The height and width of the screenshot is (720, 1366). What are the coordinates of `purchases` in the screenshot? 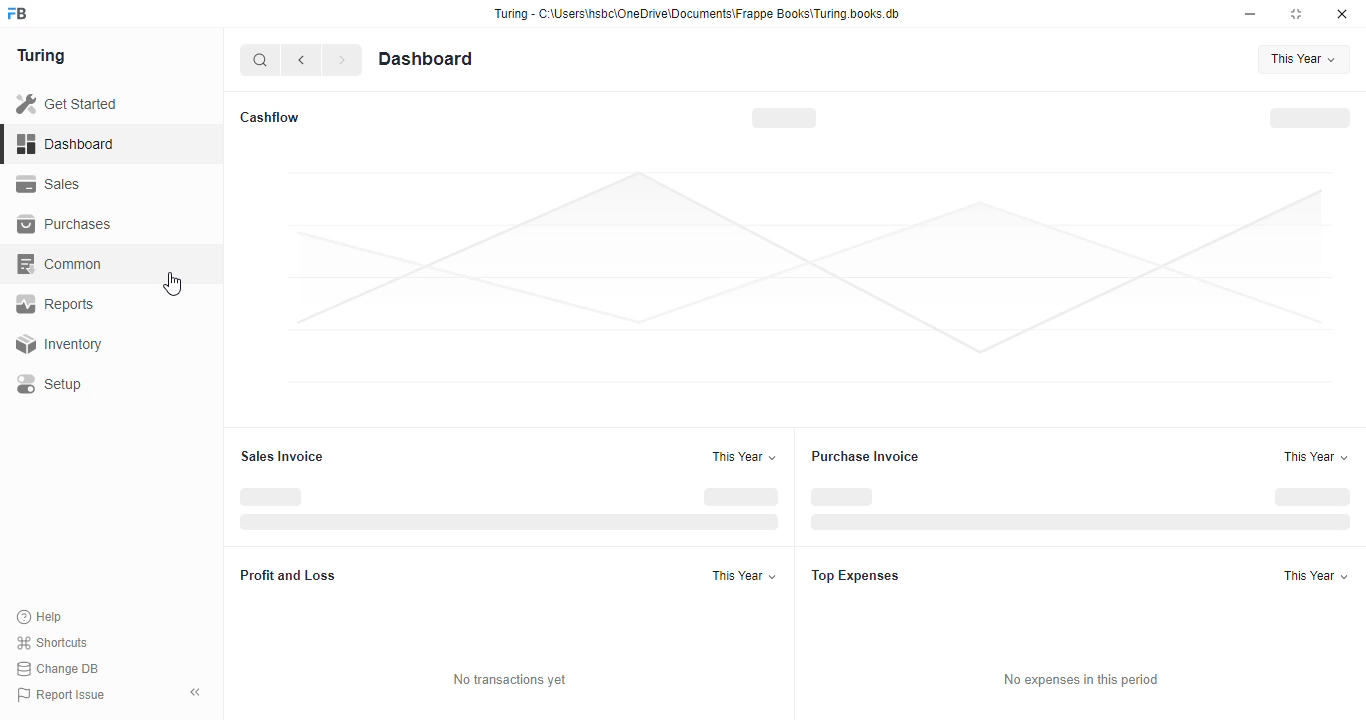 It's located at (64, 224).